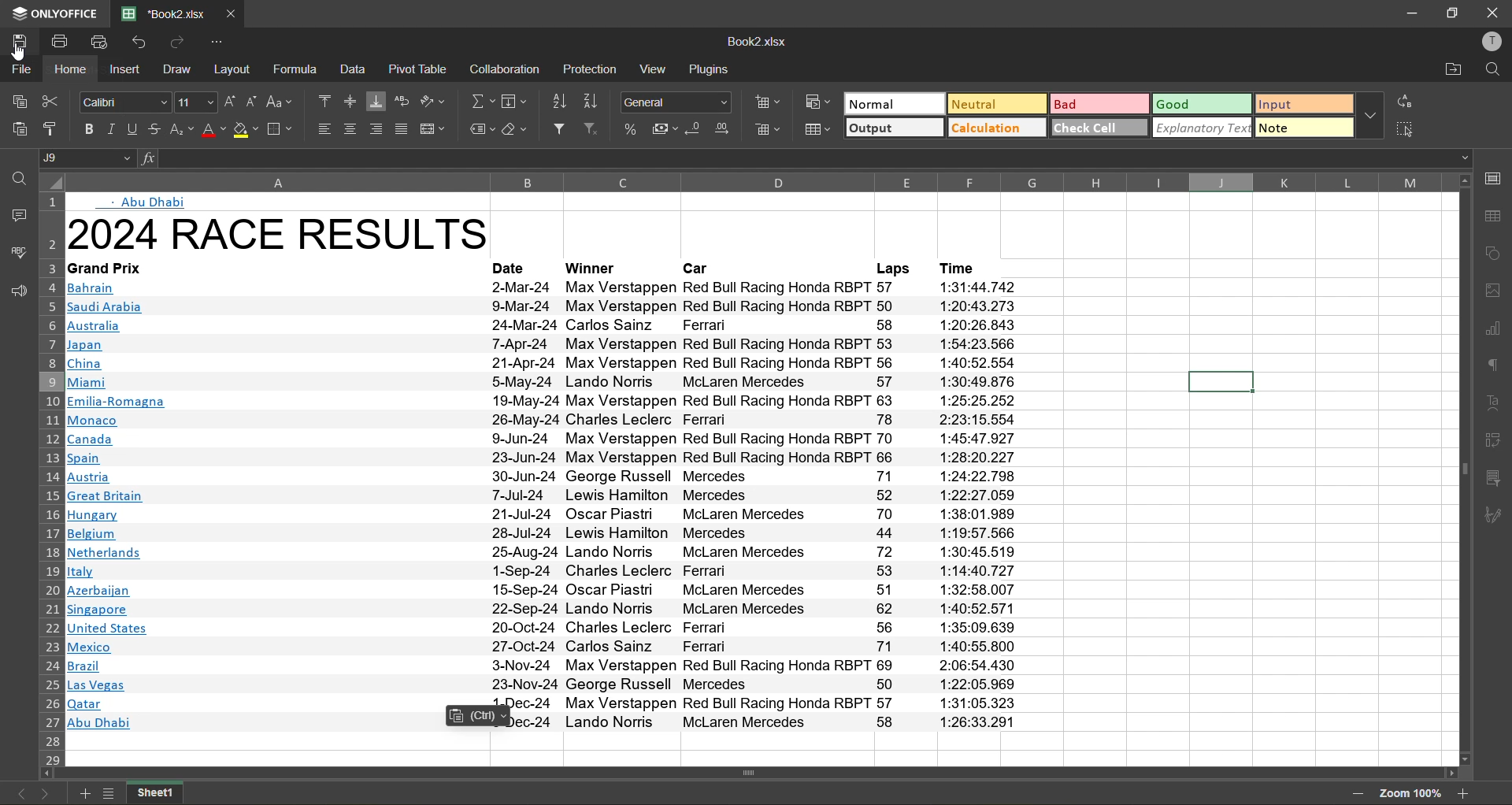 The image size is (1512, 805). What do you see at coordinates (589, 102) in the screenshot?
I see `sort descending` at bounding box center [589, 102].